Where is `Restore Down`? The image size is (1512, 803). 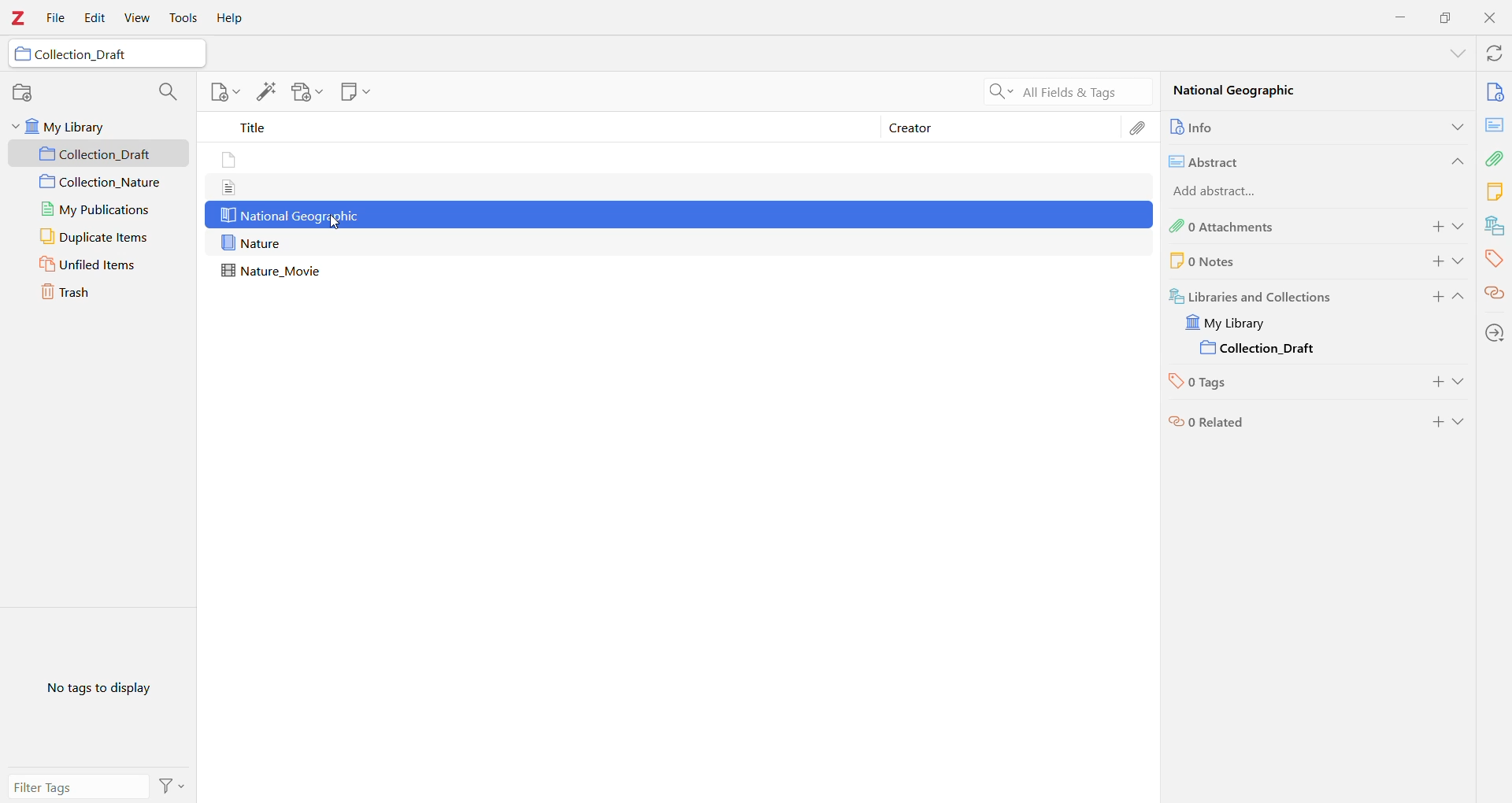
Restore Down is located at coordinates (1446, 17).